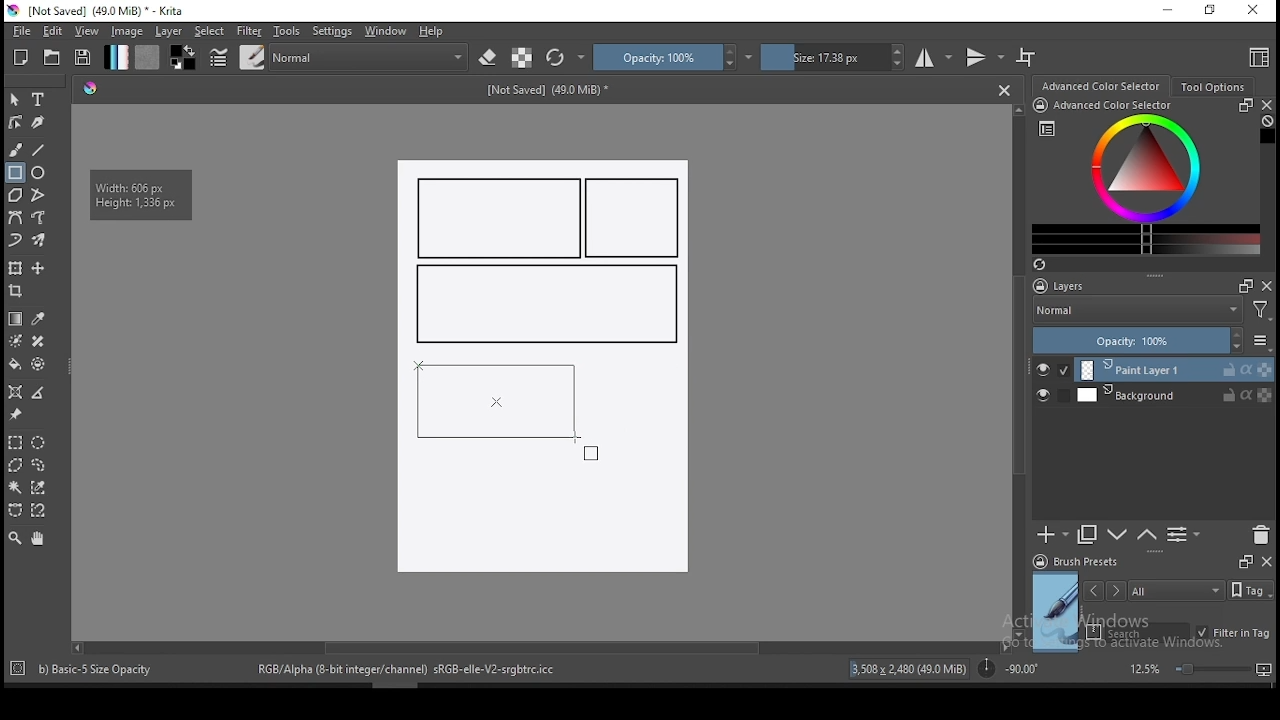 The width and height of the screenshot is (1280, 720). I want to click on search, so click(1138, 632).